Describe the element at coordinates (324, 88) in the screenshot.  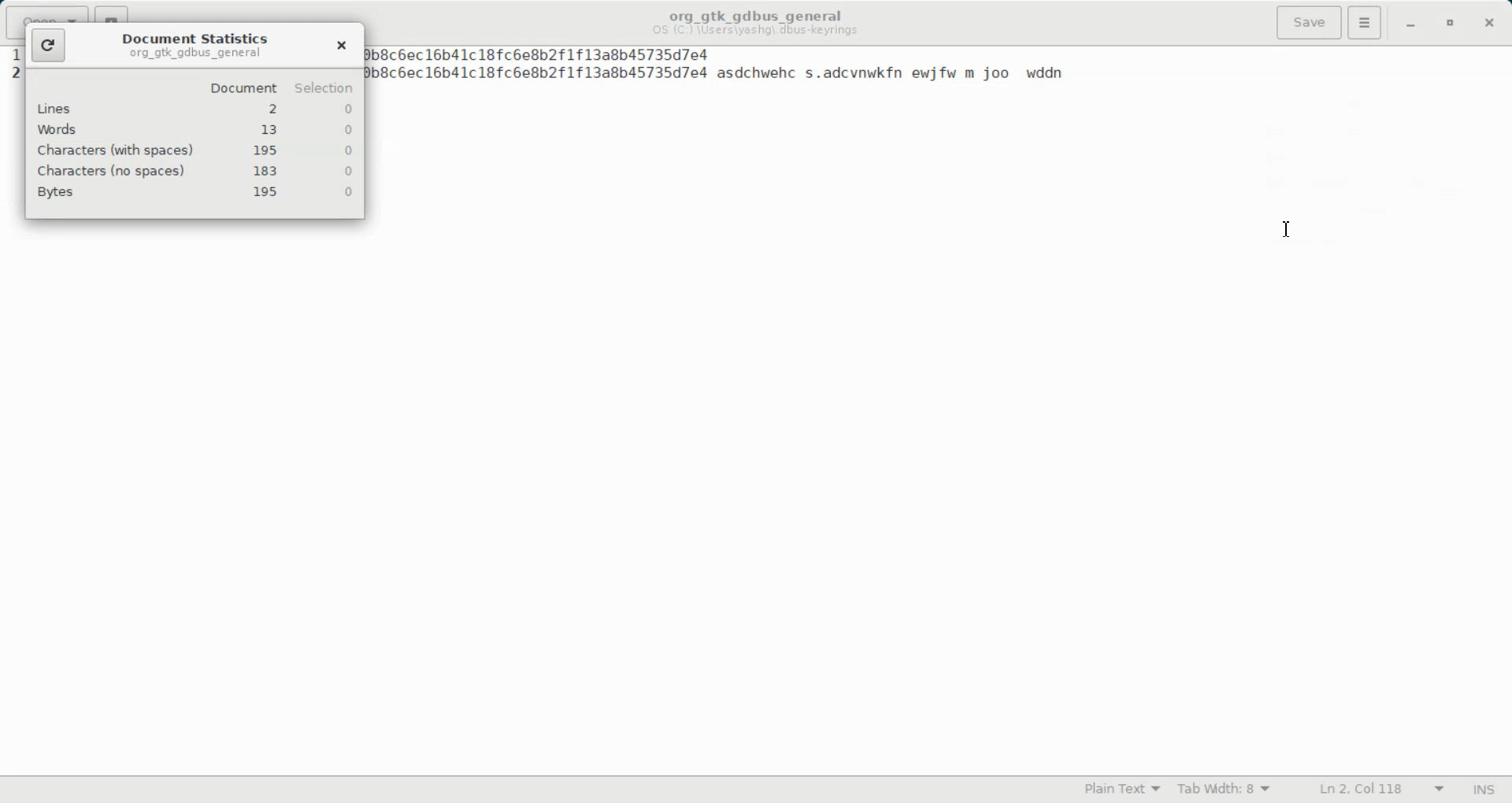
I see `selection` at that location.